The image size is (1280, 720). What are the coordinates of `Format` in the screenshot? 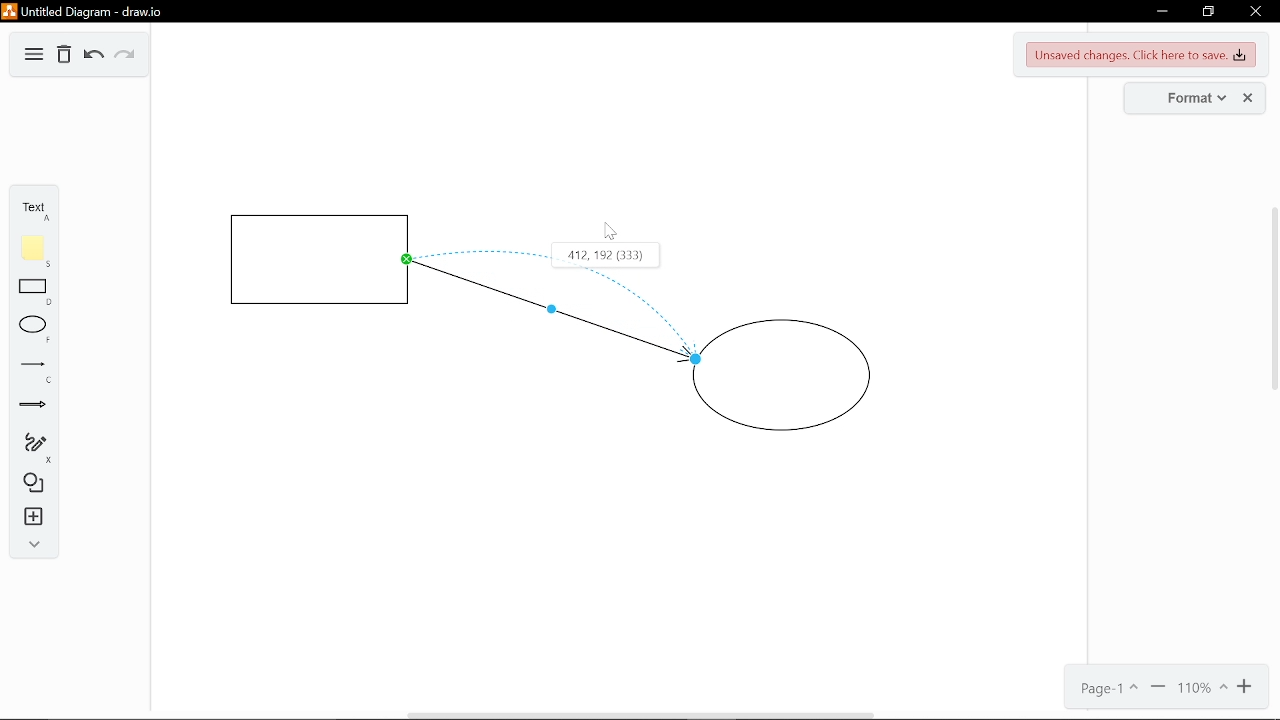 It's located at (1194, 97).